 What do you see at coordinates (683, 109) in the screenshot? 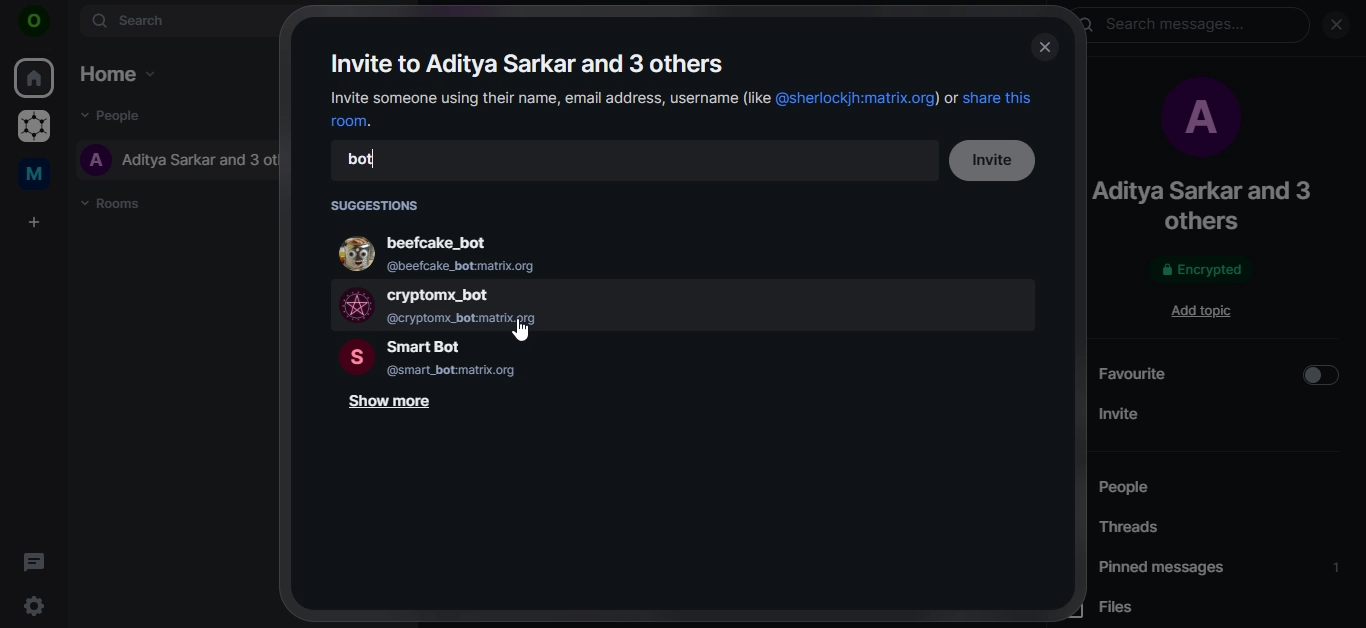
I see `invite someone using their name, email address, username or share this room.` at bounding box center [683, 109].